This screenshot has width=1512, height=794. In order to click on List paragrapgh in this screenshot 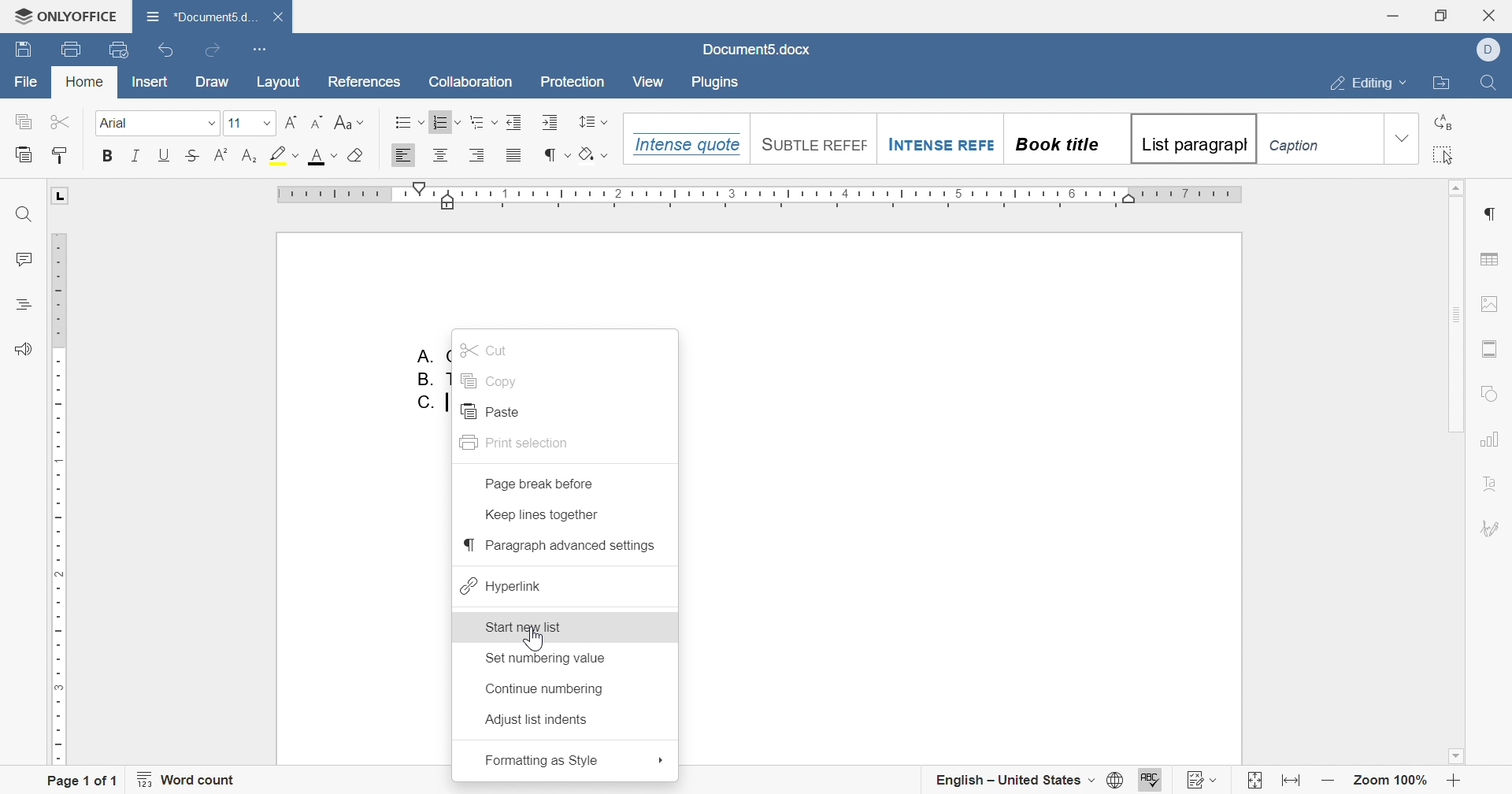, I will do `click(1191, 139)`.